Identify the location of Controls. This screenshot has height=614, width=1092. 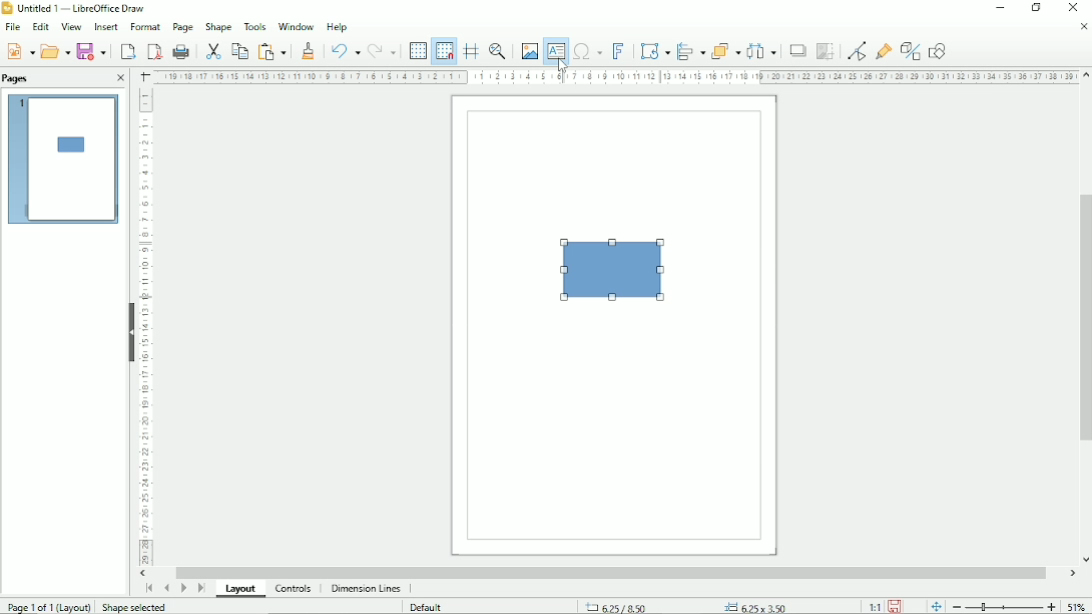
(293, 589).